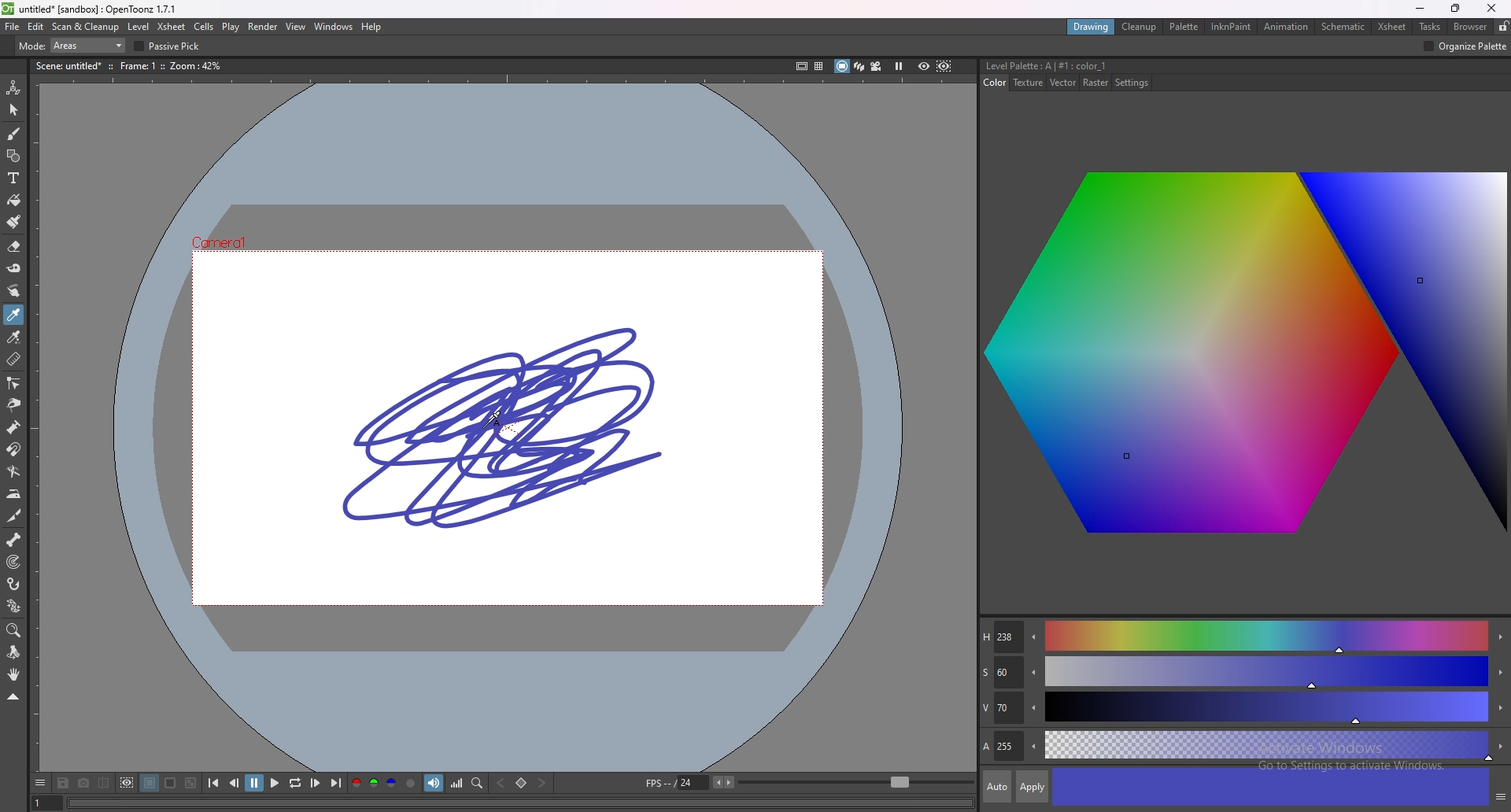 Image resolution: width=1511 pixels, height=812 pixels. What do you see at coordinates (172, 27) in the screenshot?
I see `xsheet` at bounding box center [172, 27].